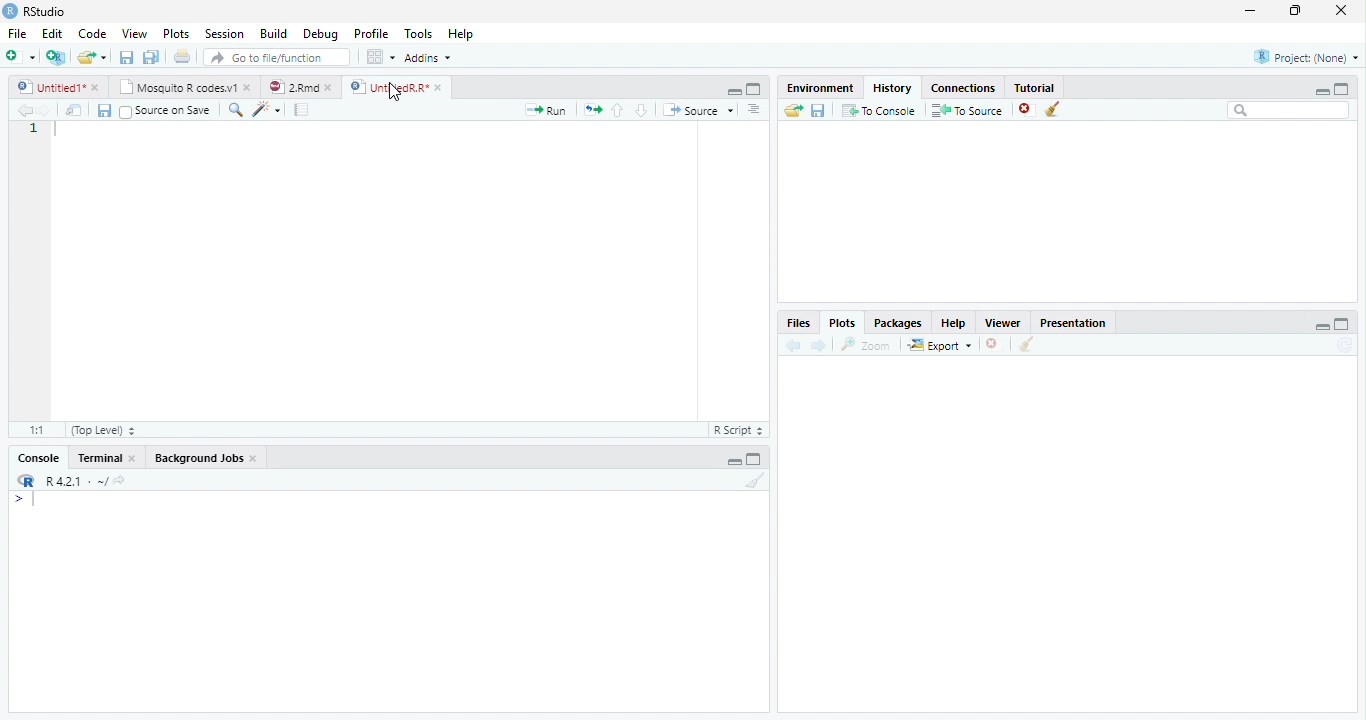  What do you see at coordinates (24, 502) in the screenshot?
I see `New line` at bounding box center [24, 502].